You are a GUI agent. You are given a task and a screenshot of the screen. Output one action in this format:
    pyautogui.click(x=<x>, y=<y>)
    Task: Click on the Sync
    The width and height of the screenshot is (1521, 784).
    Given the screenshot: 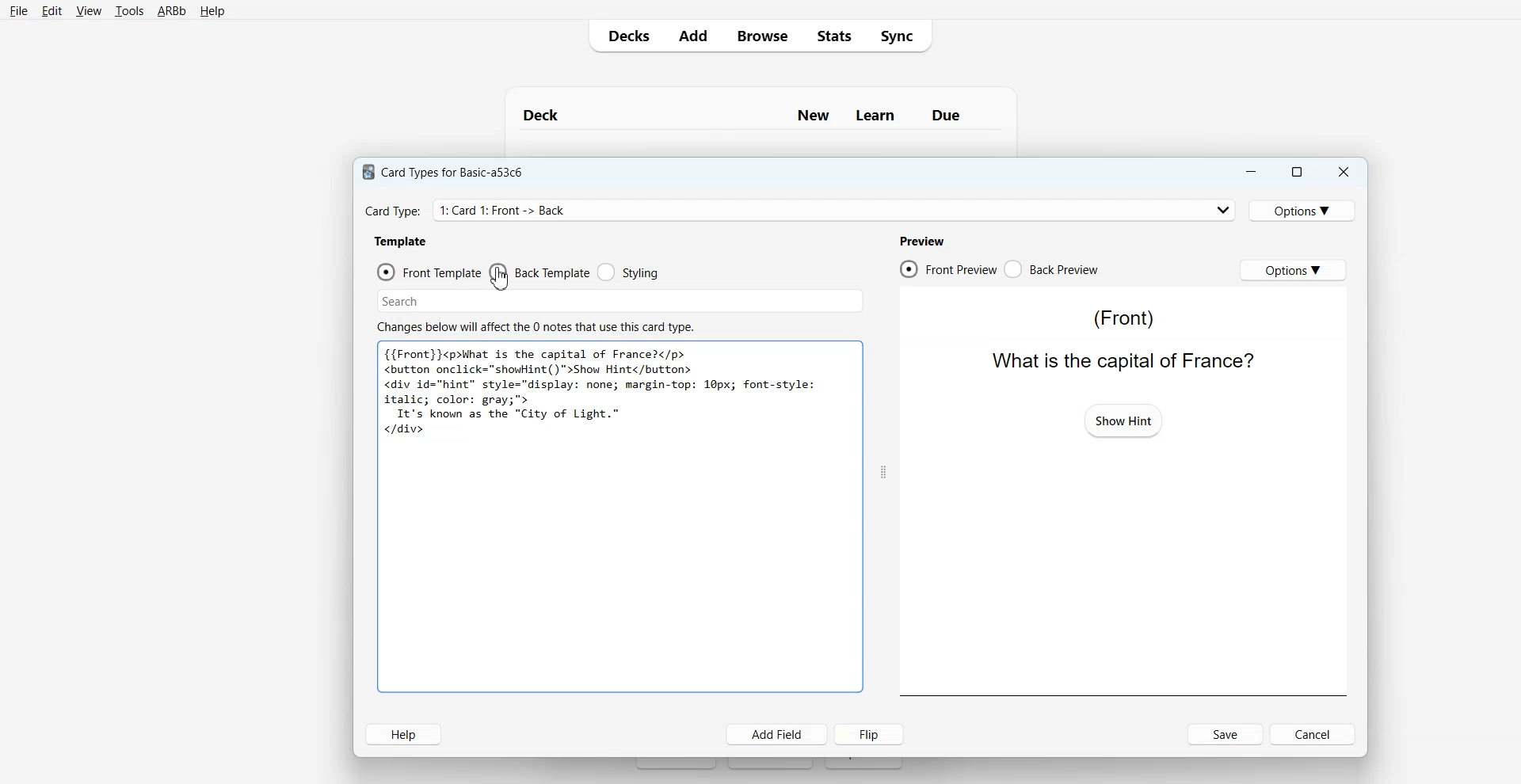 What is the action you would take?
    pyautogui.click(x=902, y=35)
    